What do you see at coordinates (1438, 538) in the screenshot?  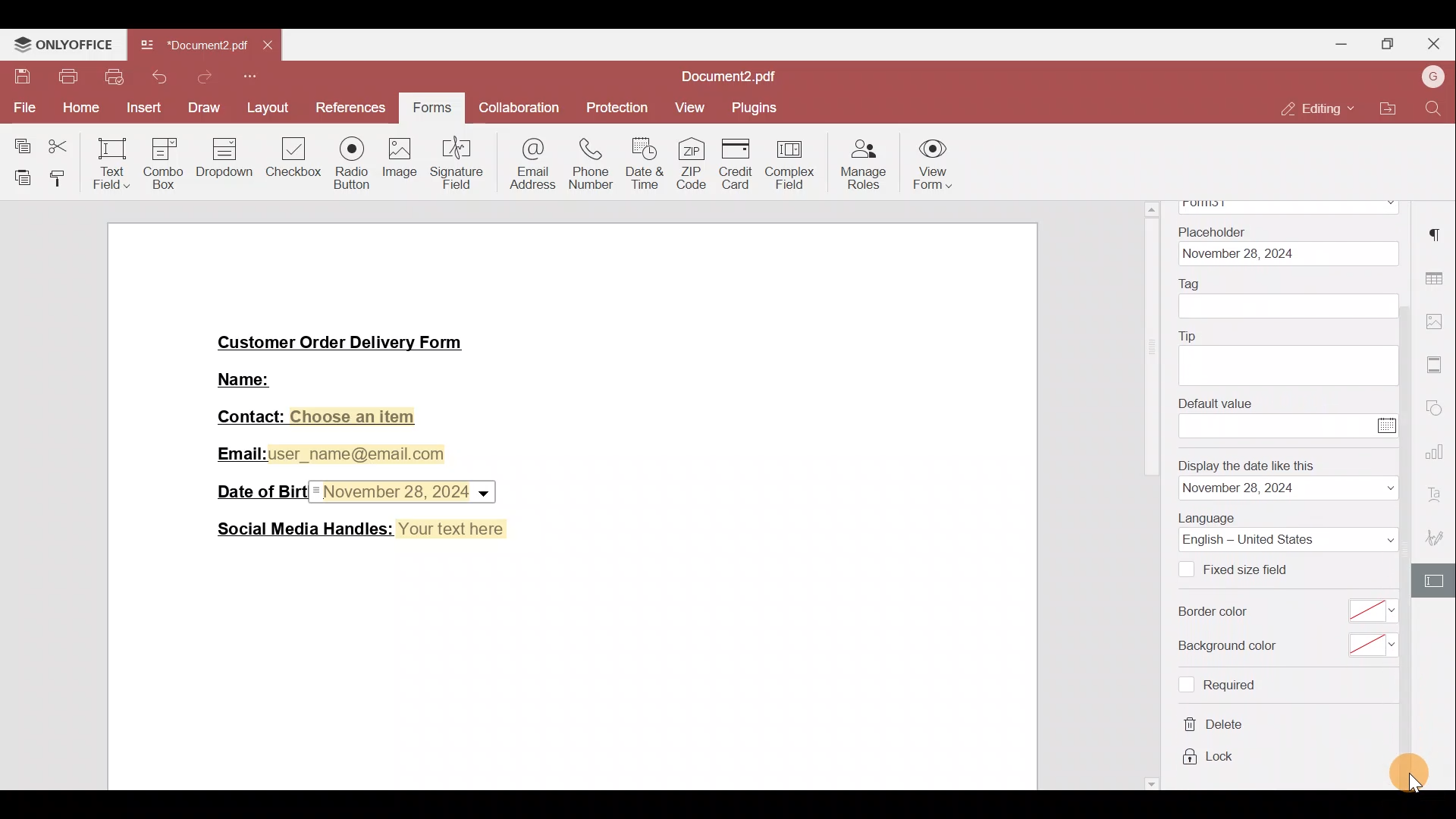 I see `Signature settings` at bounding box center [1438, 538].